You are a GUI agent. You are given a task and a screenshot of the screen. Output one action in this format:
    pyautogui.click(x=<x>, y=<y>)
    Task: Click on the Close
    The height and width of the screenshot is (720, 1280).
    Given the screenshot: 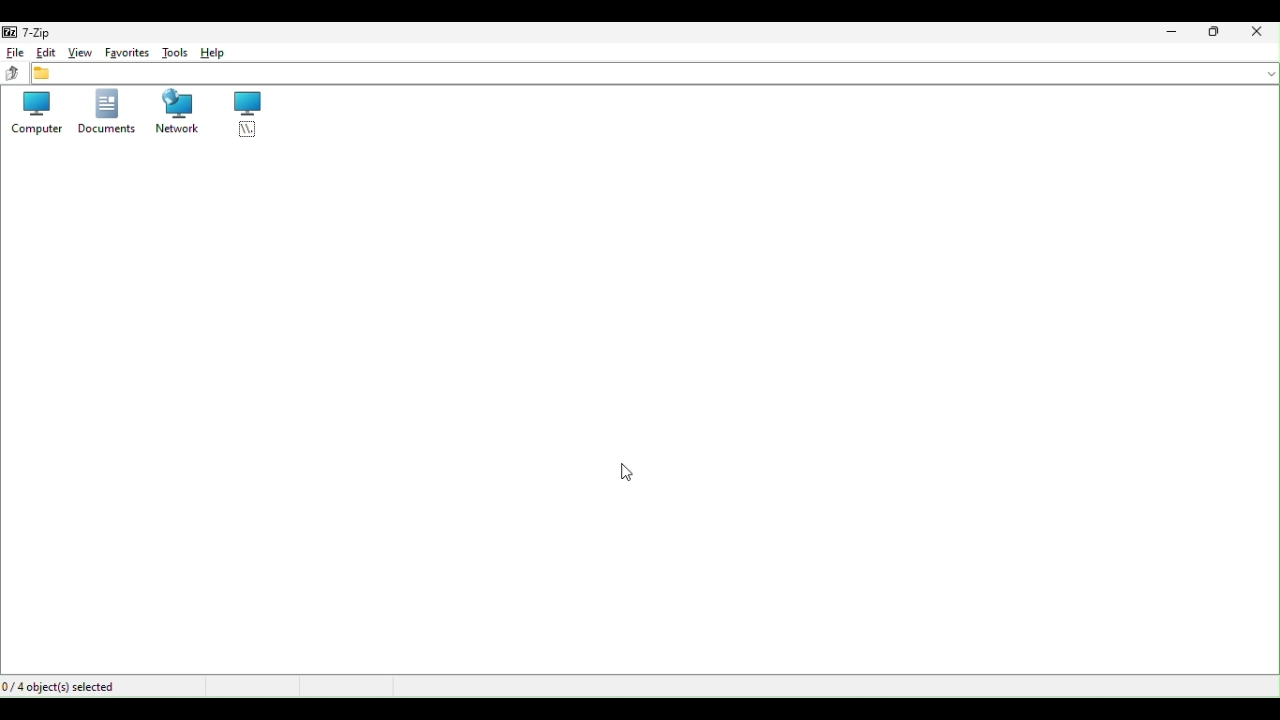 What is the action you would take?
    pyautogui.click(x=1261, y=33)
    